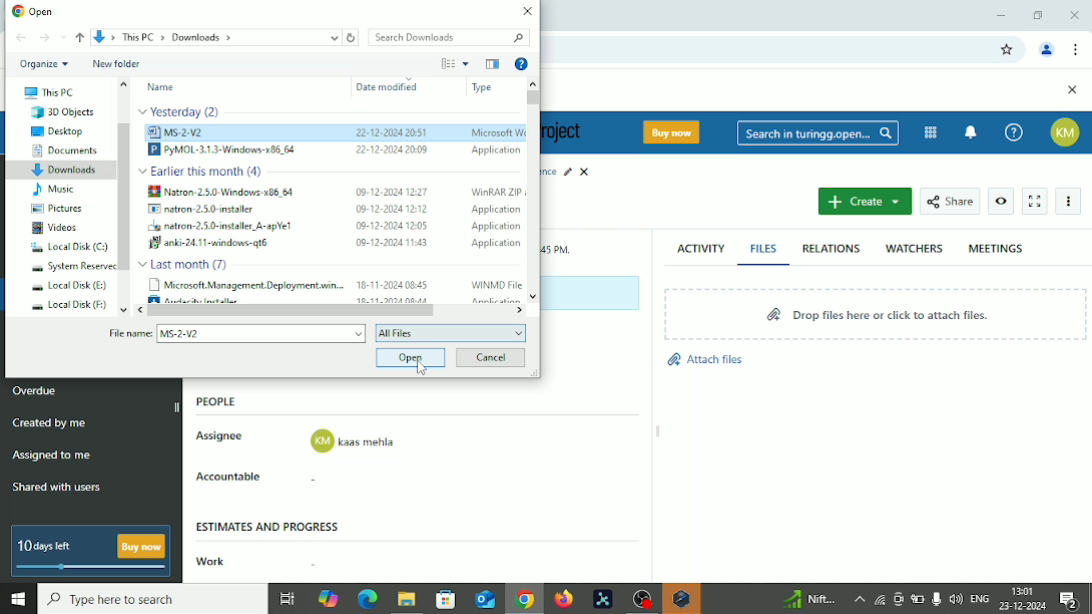 This screenshot has height=614, width=1092. I want to click on 09-12-2004 1202, so click(391, 208).